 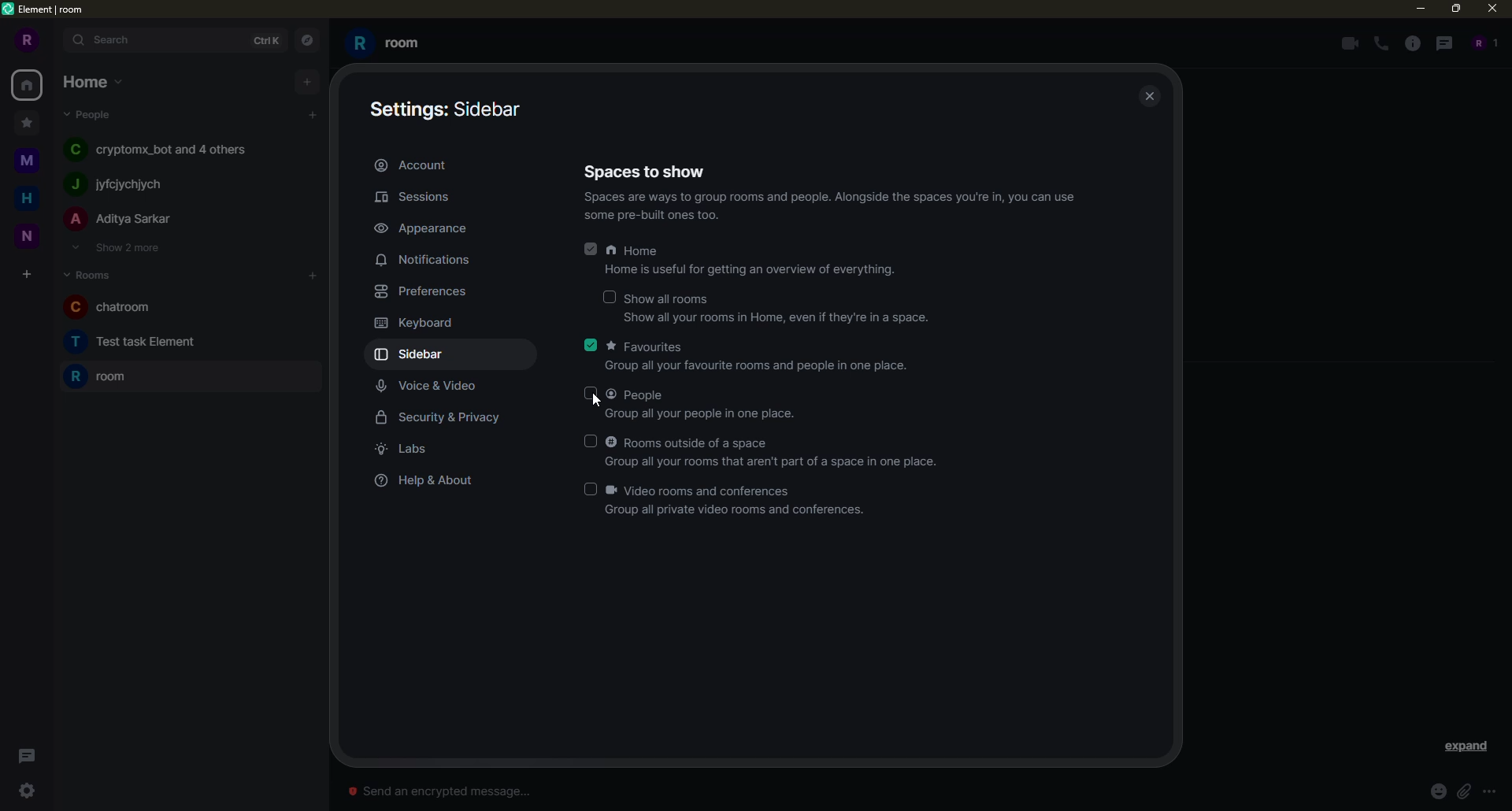 What do you see at coordinates (90, 115) in the screenshot?
I see `people` at bounding box center [90, 115].